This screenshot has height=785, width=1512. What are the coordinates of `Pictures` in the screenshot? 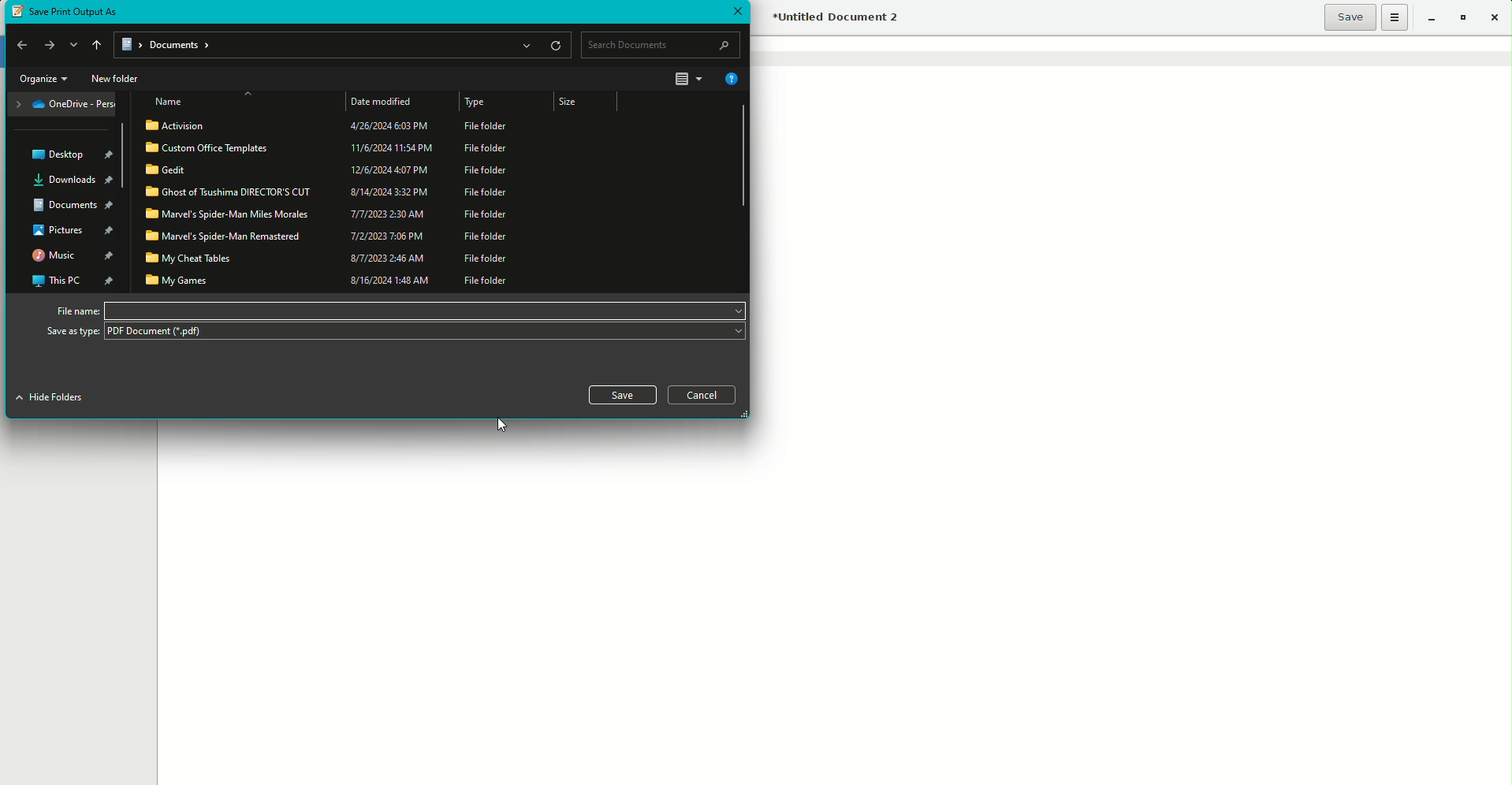 It's located at (72, 231).